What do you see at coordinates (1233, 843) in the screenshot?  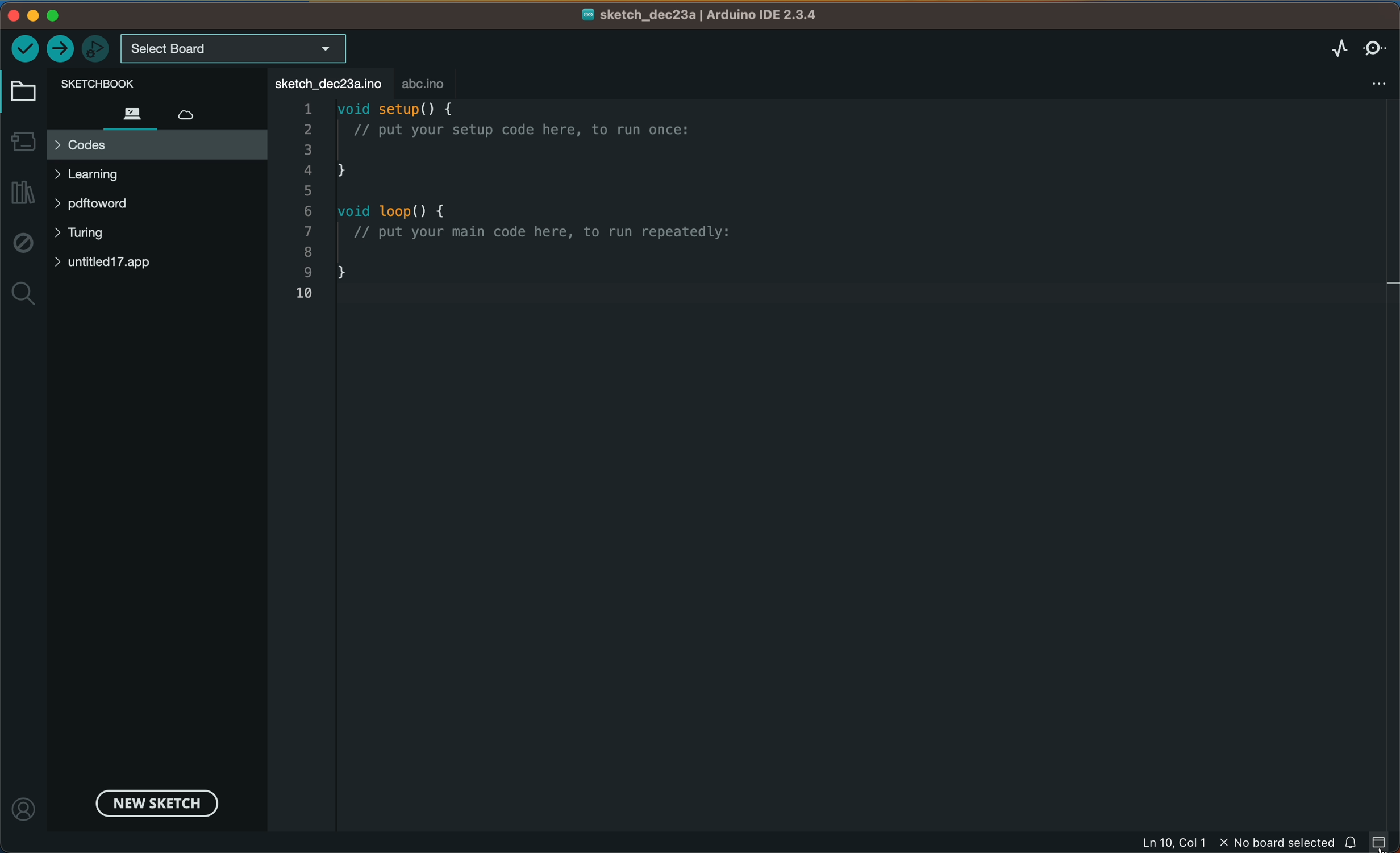 I see `file information` at bounding box center [1233, 843].